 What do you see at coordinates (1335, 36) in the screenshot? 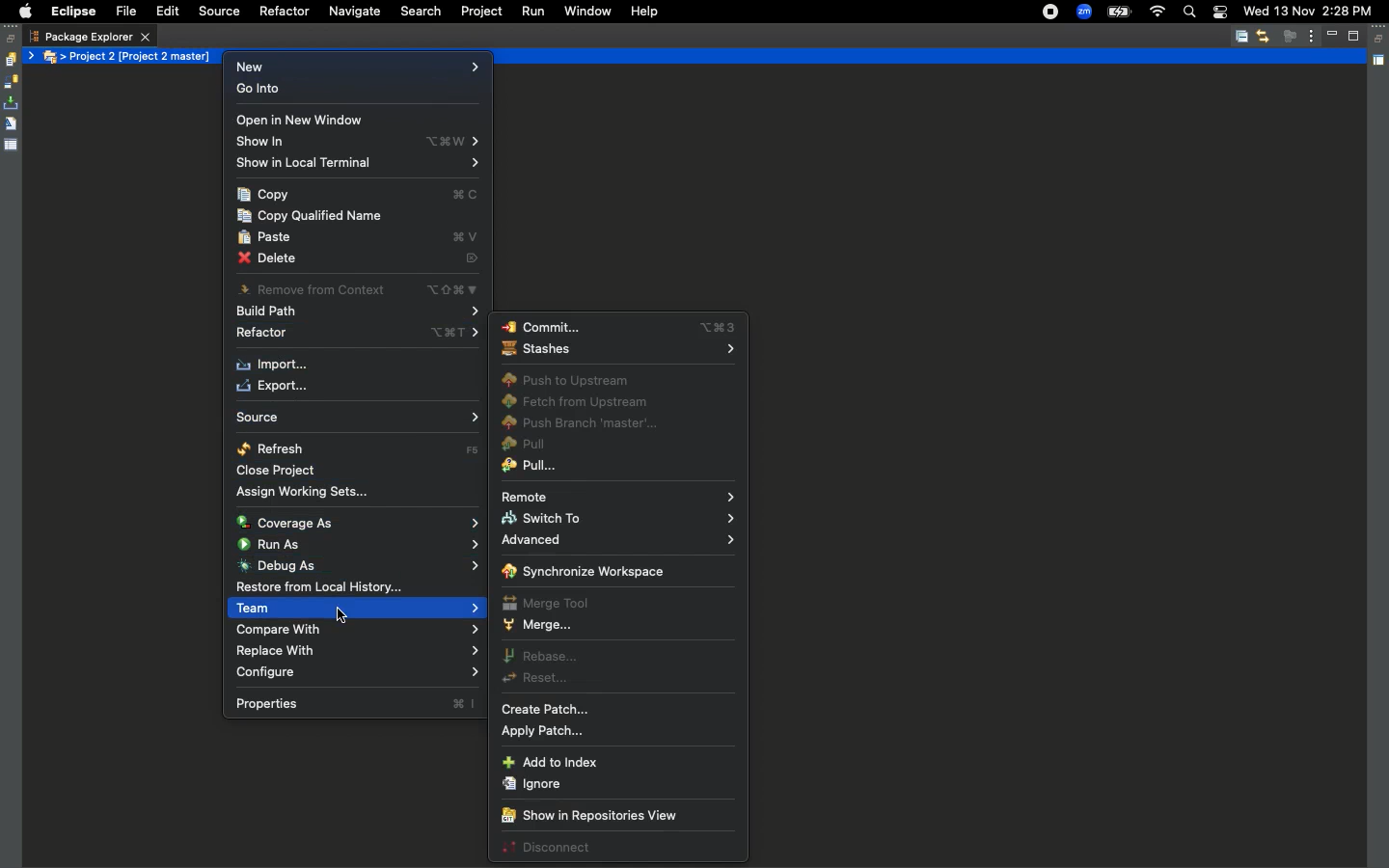
I see `Minimize` at bounding box center [1335, 36].